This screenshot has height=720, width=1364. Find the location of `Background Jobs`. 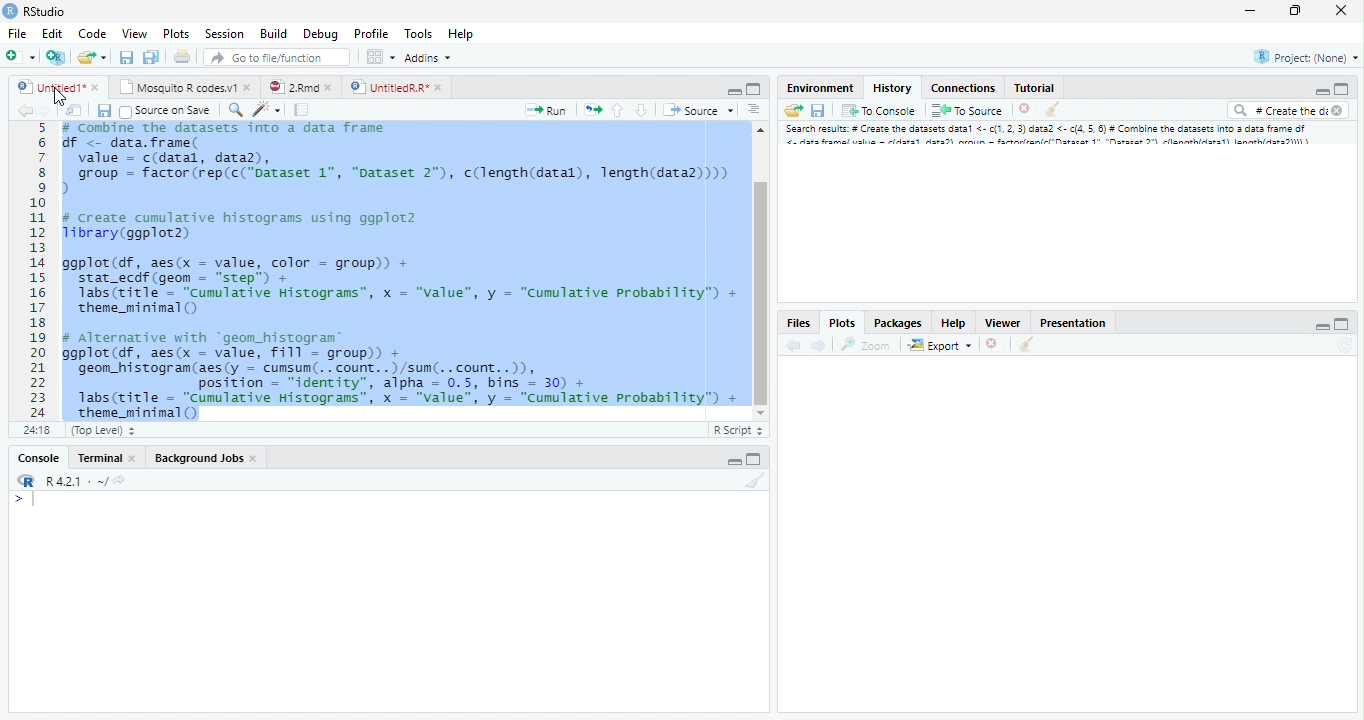

Background Jobs is located at coordinates (207, 458).